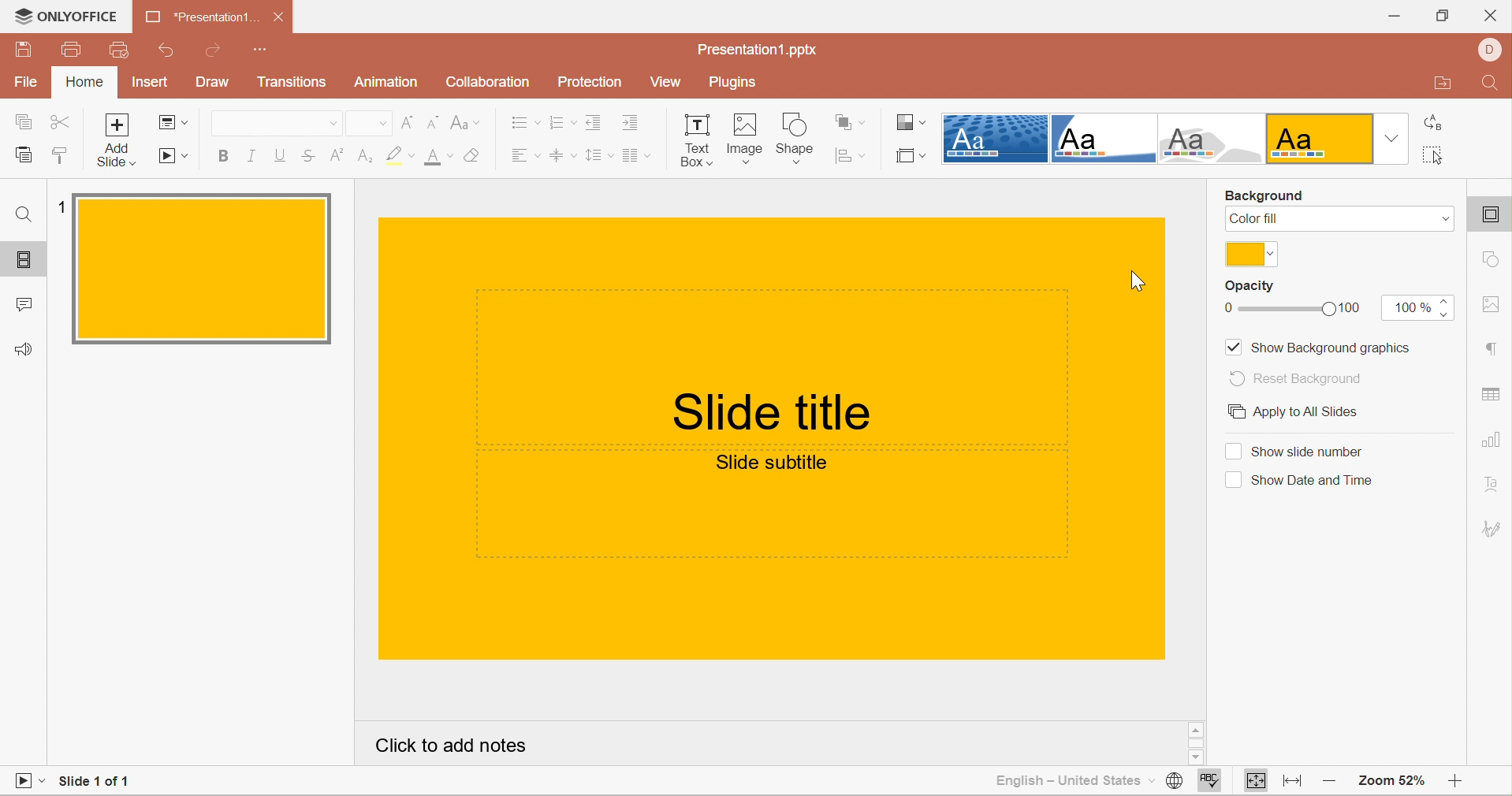 This screenshot has width=1512, height=796. Describe the element at coordinates (1409, 308) in the screenshot. I see `100%` at that location.